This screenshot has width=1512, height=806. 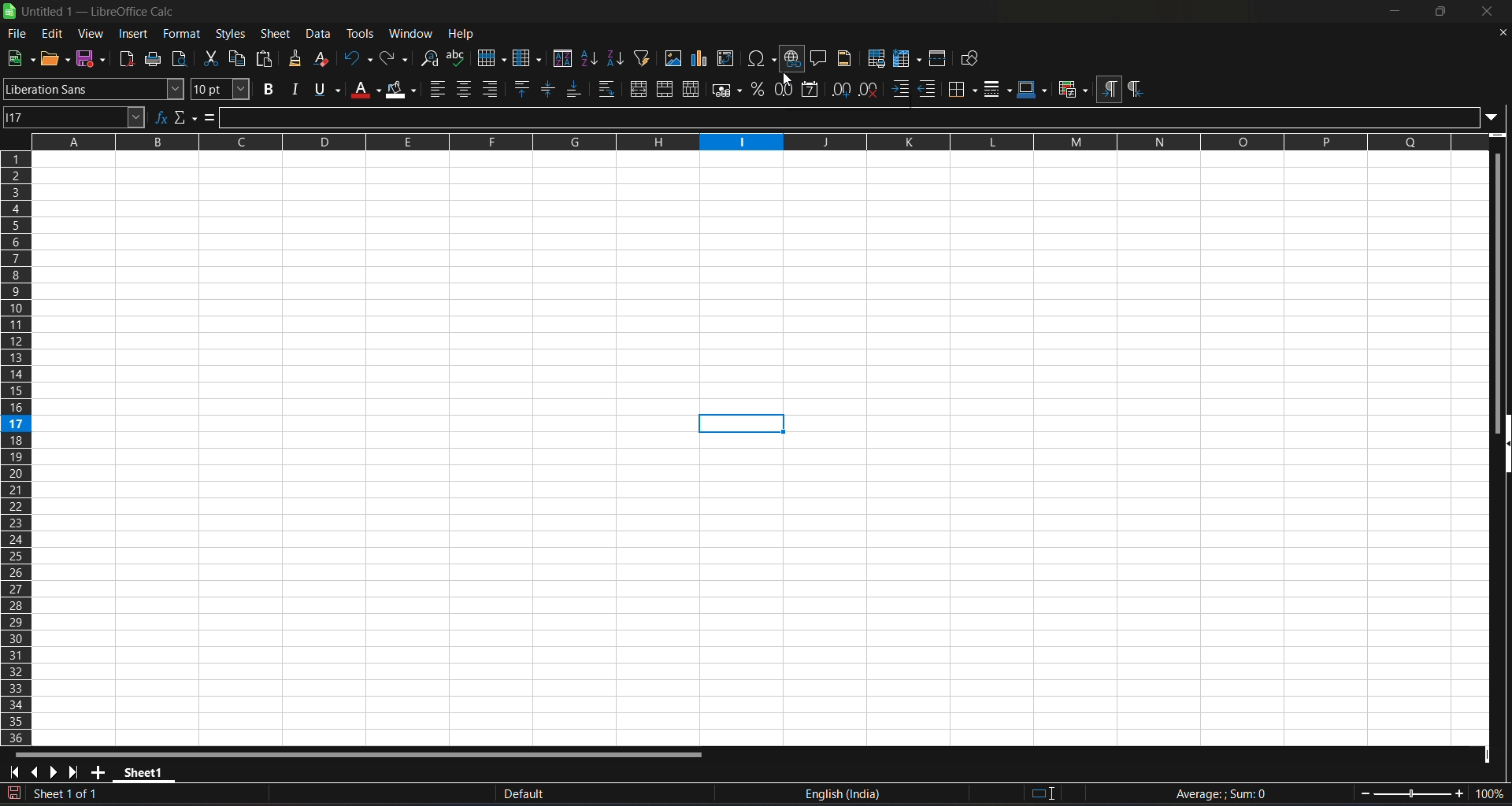 What do you see at coordinates (180, 34) in the screenshot?
I see `format` at bounding box center [180, 34].